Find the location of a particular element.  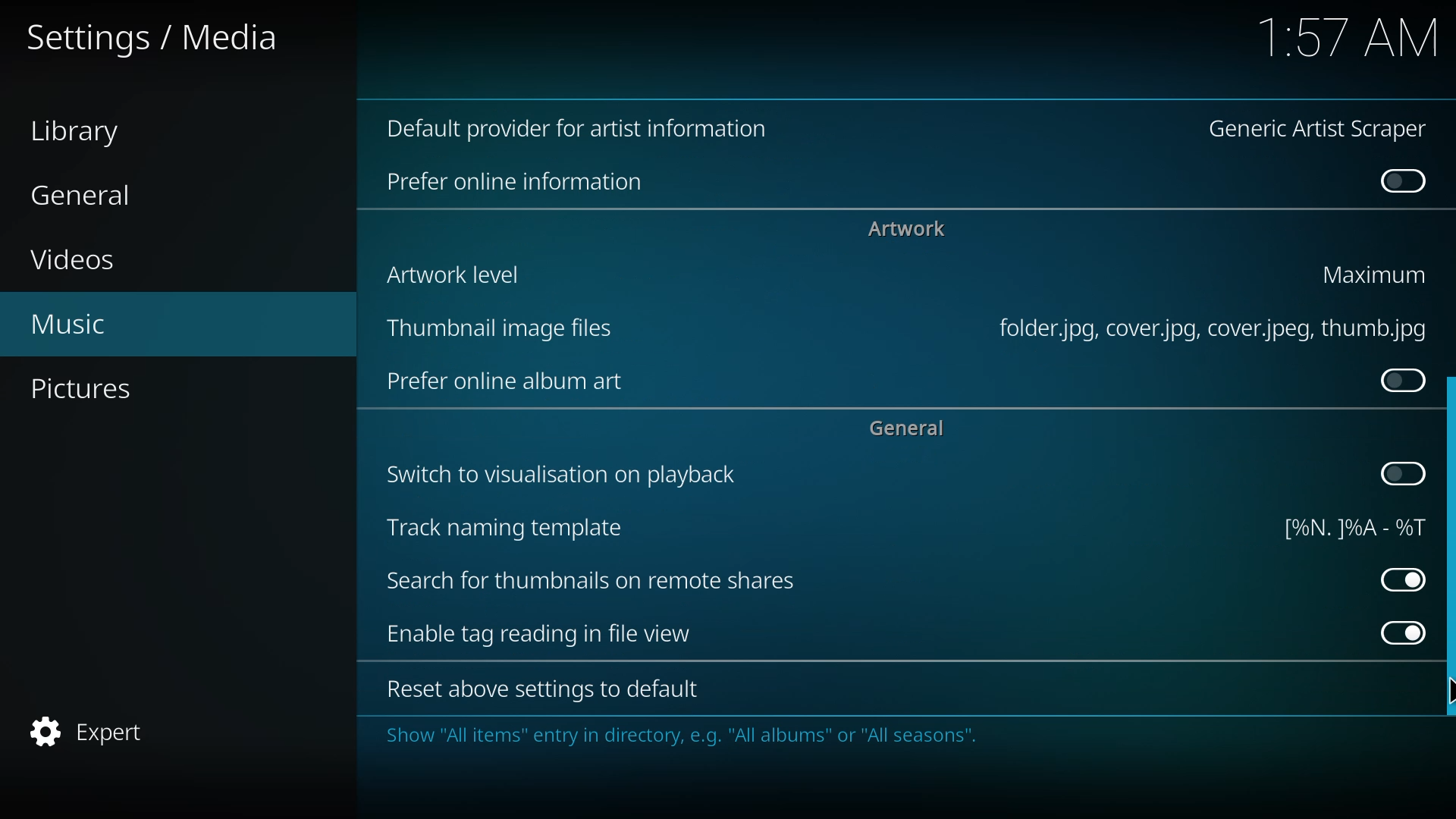

cursor is located at coordinates (1448, 690).